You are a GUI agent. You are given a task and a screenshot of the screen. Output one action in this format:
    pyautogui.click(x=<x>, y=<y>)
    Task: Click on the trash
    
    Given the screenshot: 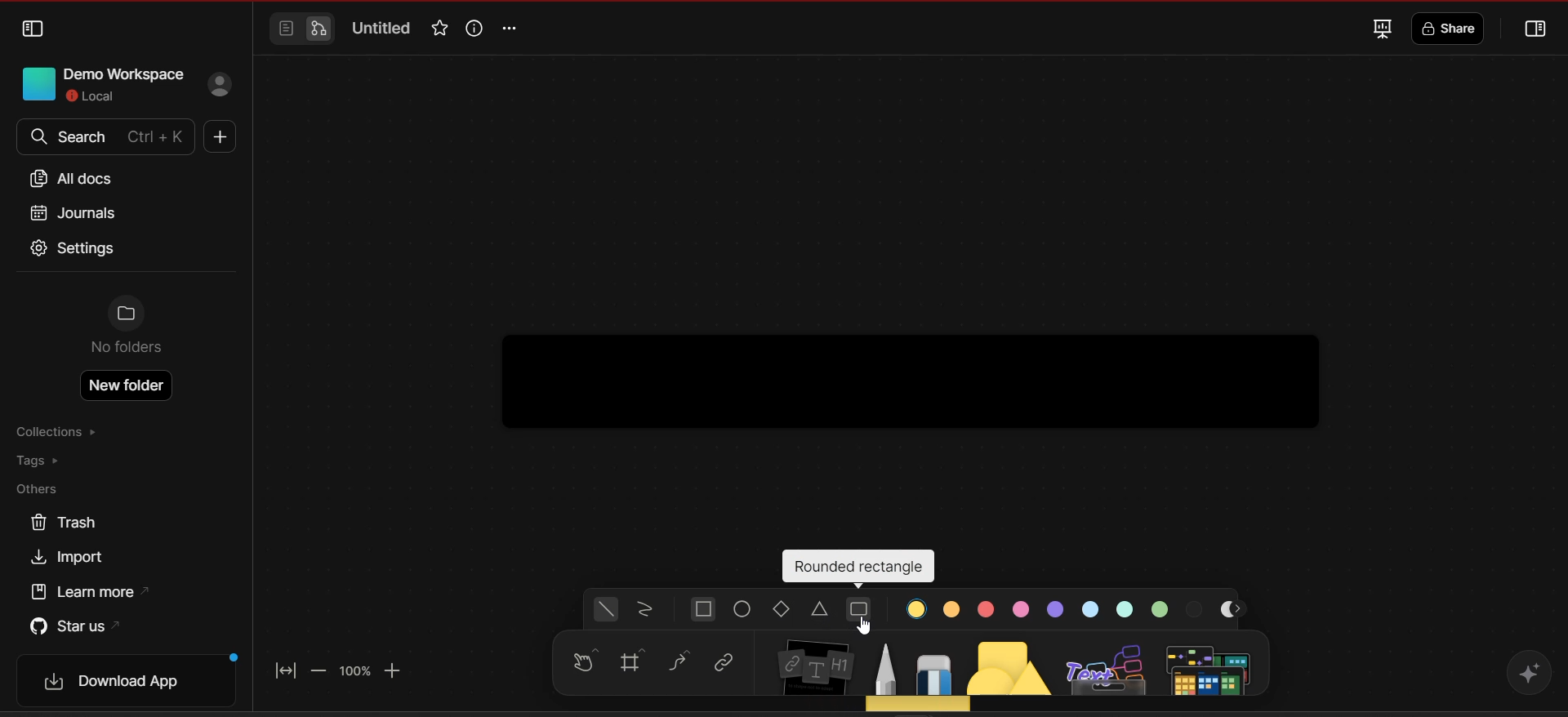 What is the action you would take?
    pyautogui.click(x=63, y=523)
    